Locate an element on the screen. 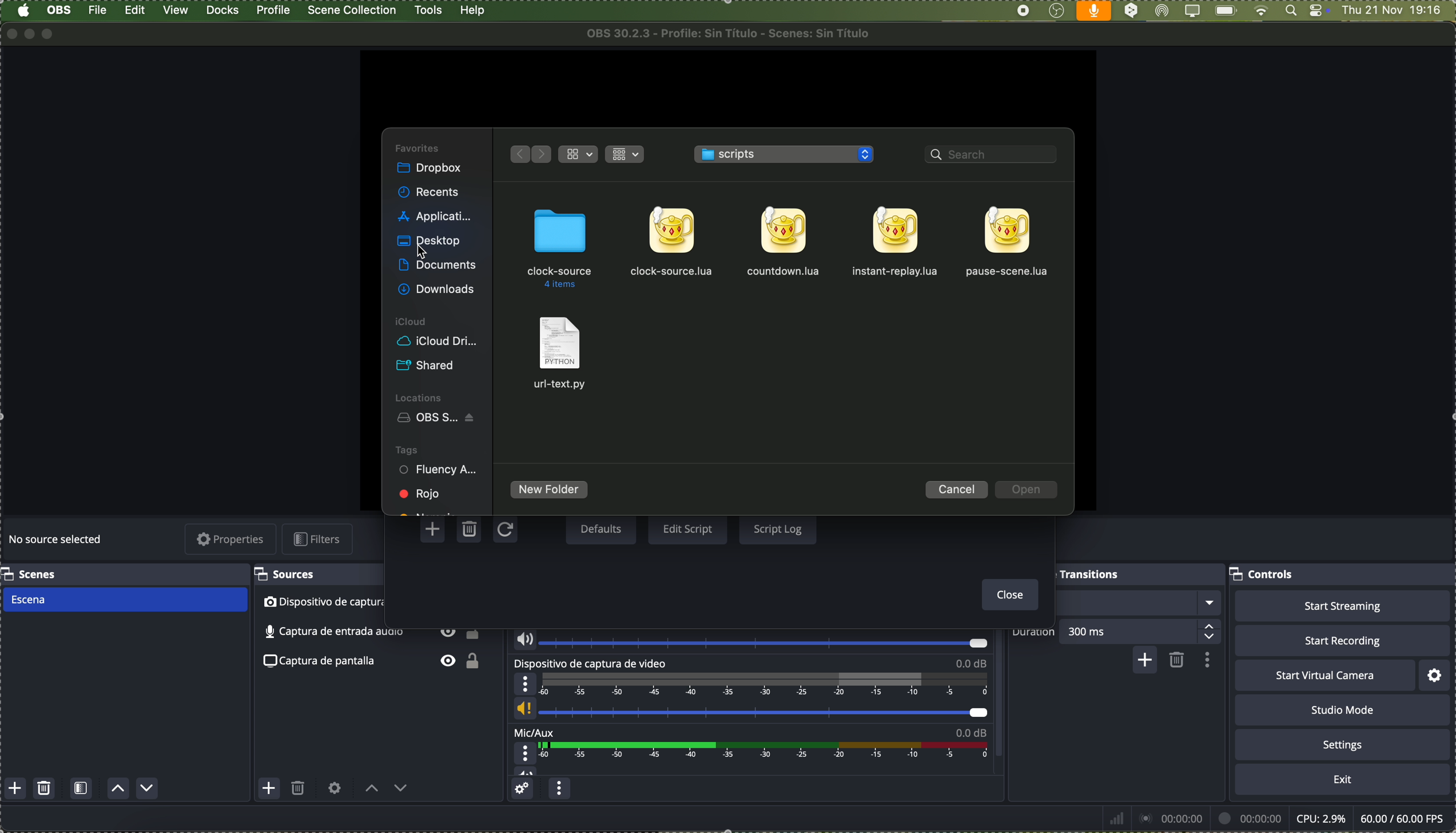 This screenshot has width=1456, height=833. studio mode is located at coordinates (1343, 710).